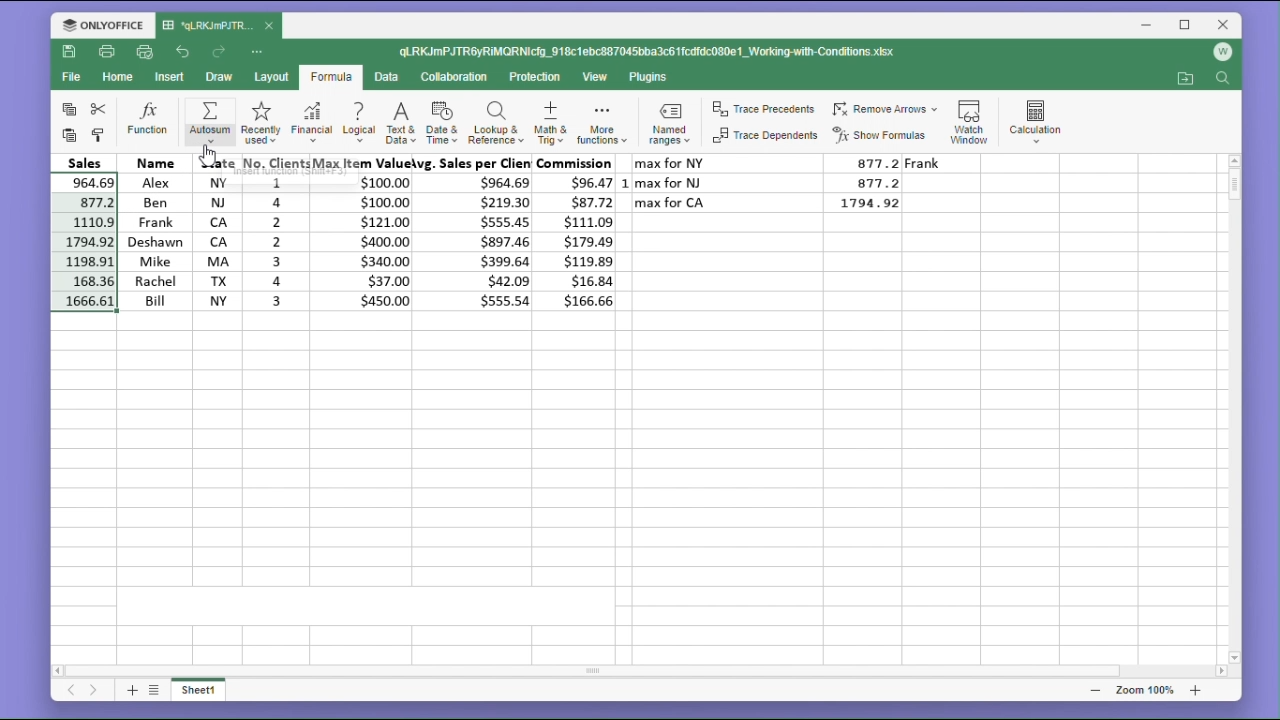 The image size is (1280, 720). I want to click on zoom out, so click(1095, 690).